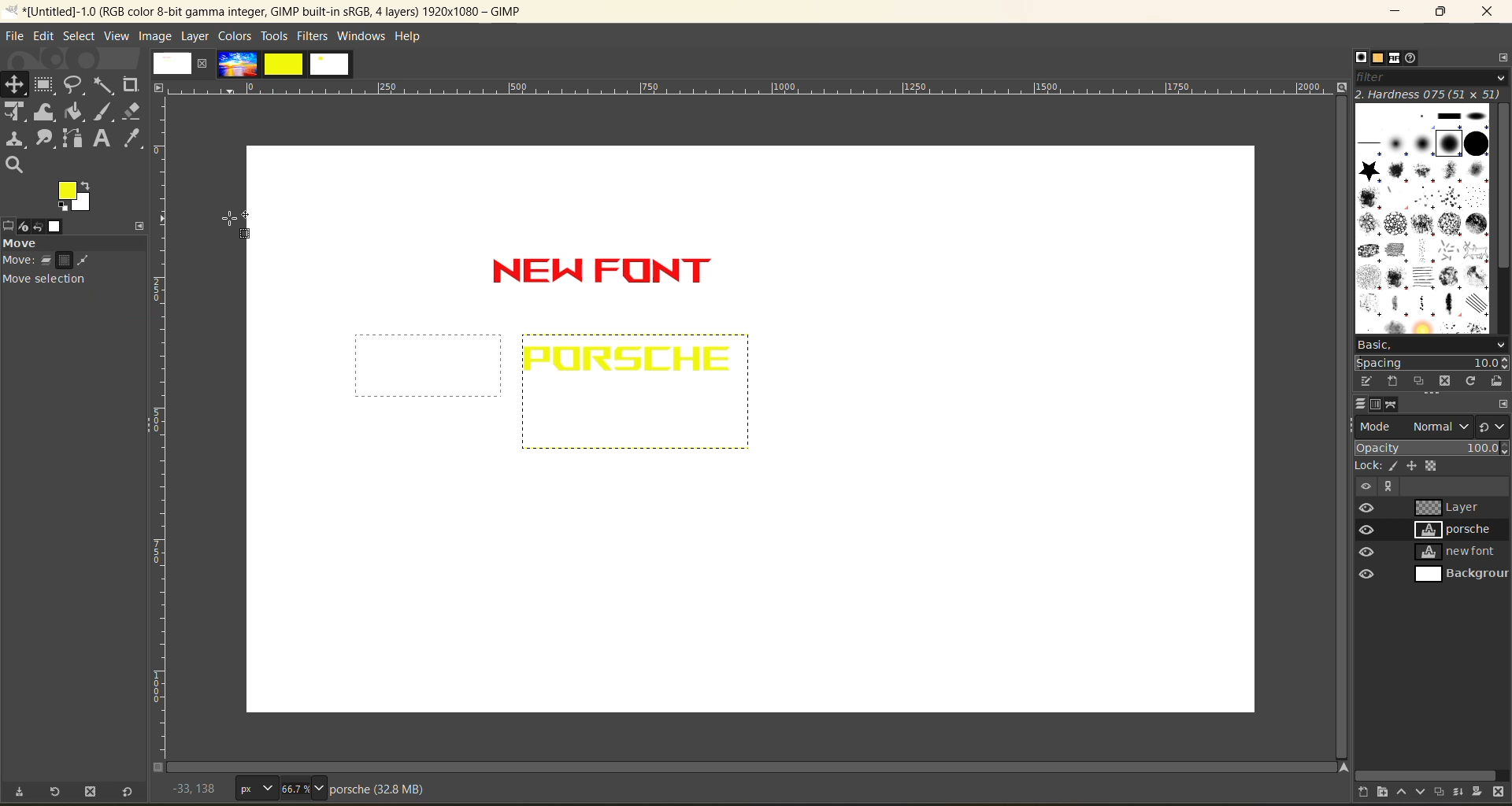 This screenshot has width=1512, height=806. Describe the element at coordinates (1421, 220) in the screenshot. I see `brushes` at that location.